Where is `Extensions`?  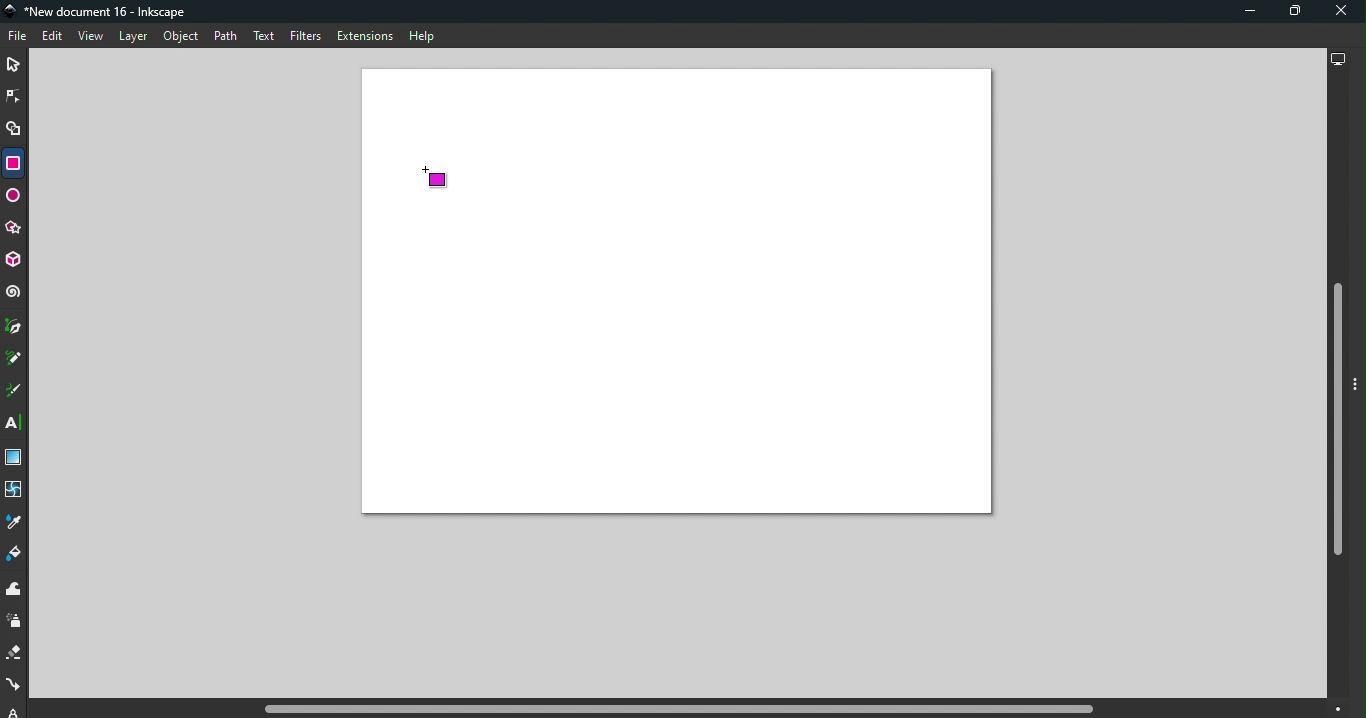
Extensions is located at coordinates (363, 35).